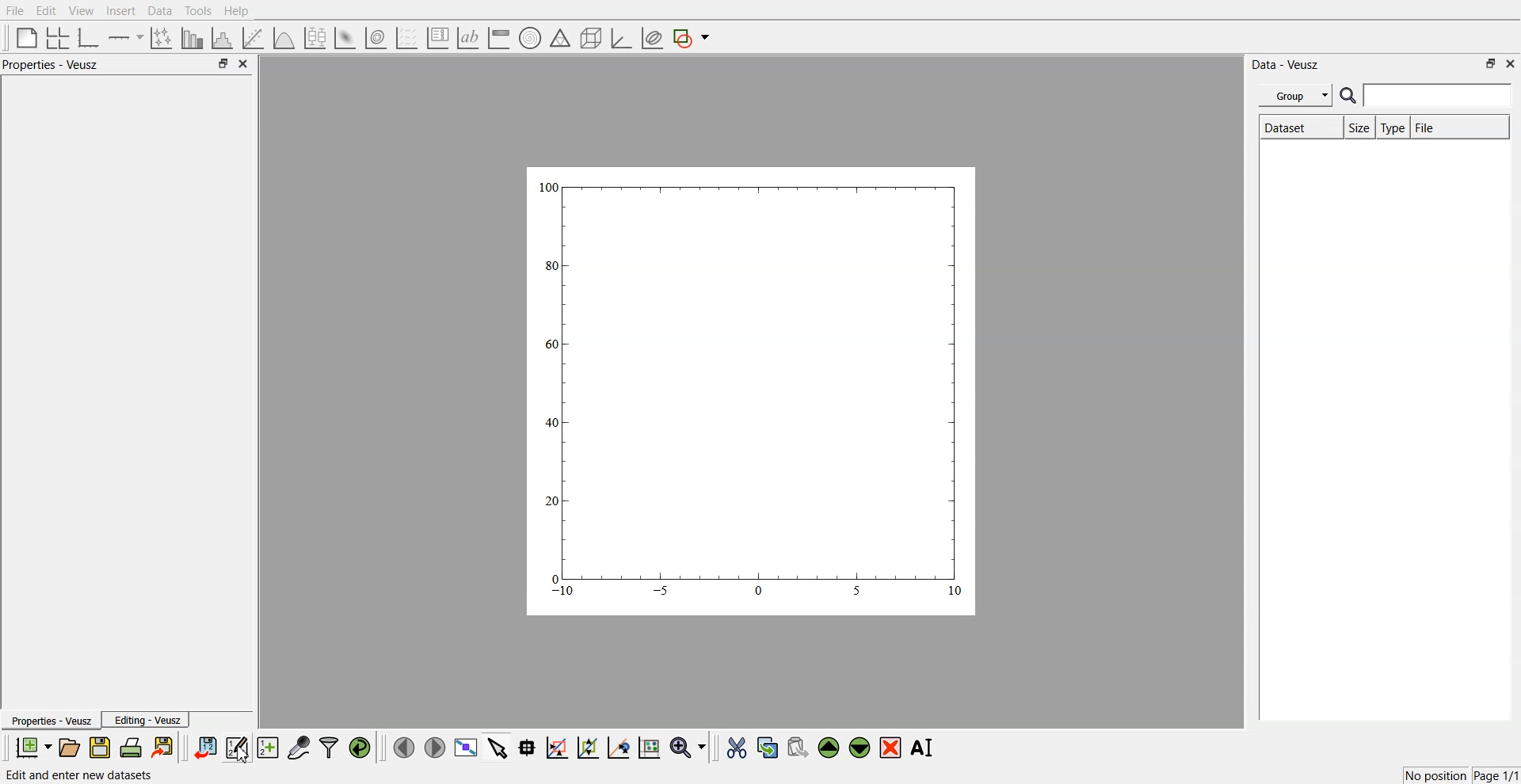  I want to click on Size, so click(1359, 129).